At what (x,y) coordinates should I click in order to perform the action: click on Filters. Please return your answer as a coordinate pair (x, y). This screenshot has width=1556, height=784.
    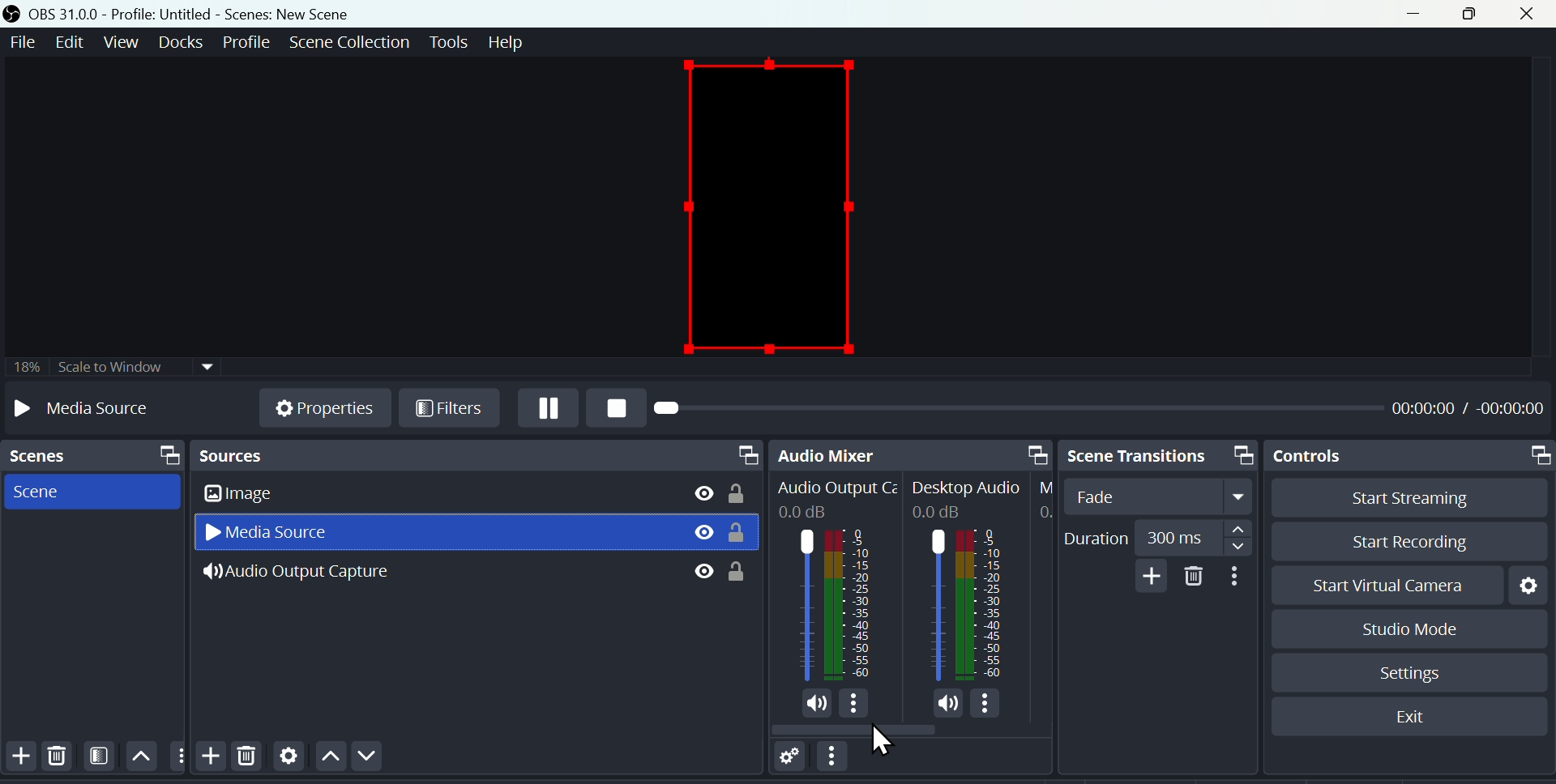
    Looking at the image, I should click on (446, 410).